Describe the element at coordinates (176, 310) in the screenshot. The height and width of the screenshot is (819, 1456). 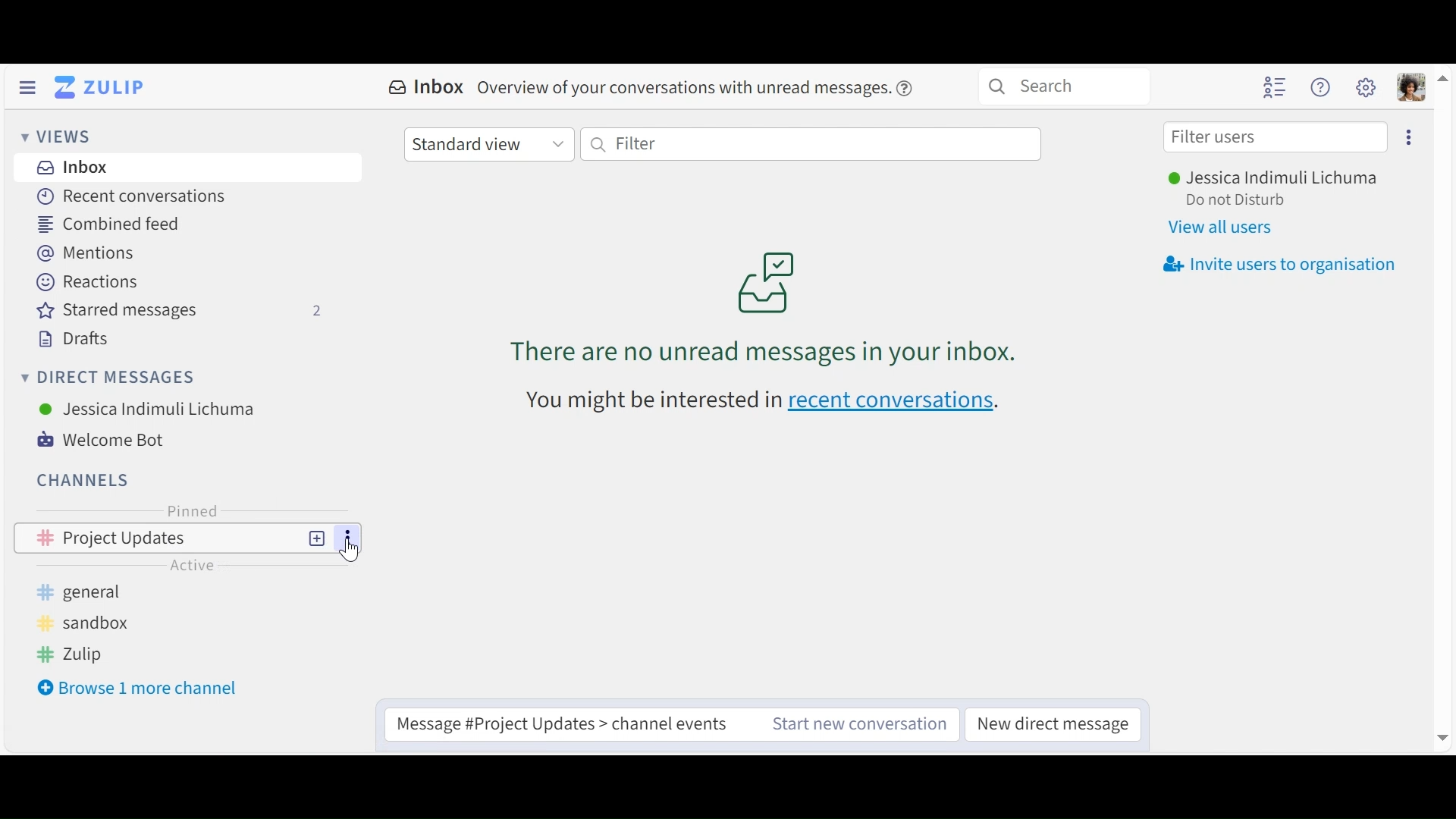
I see `Starred messages` at that location.